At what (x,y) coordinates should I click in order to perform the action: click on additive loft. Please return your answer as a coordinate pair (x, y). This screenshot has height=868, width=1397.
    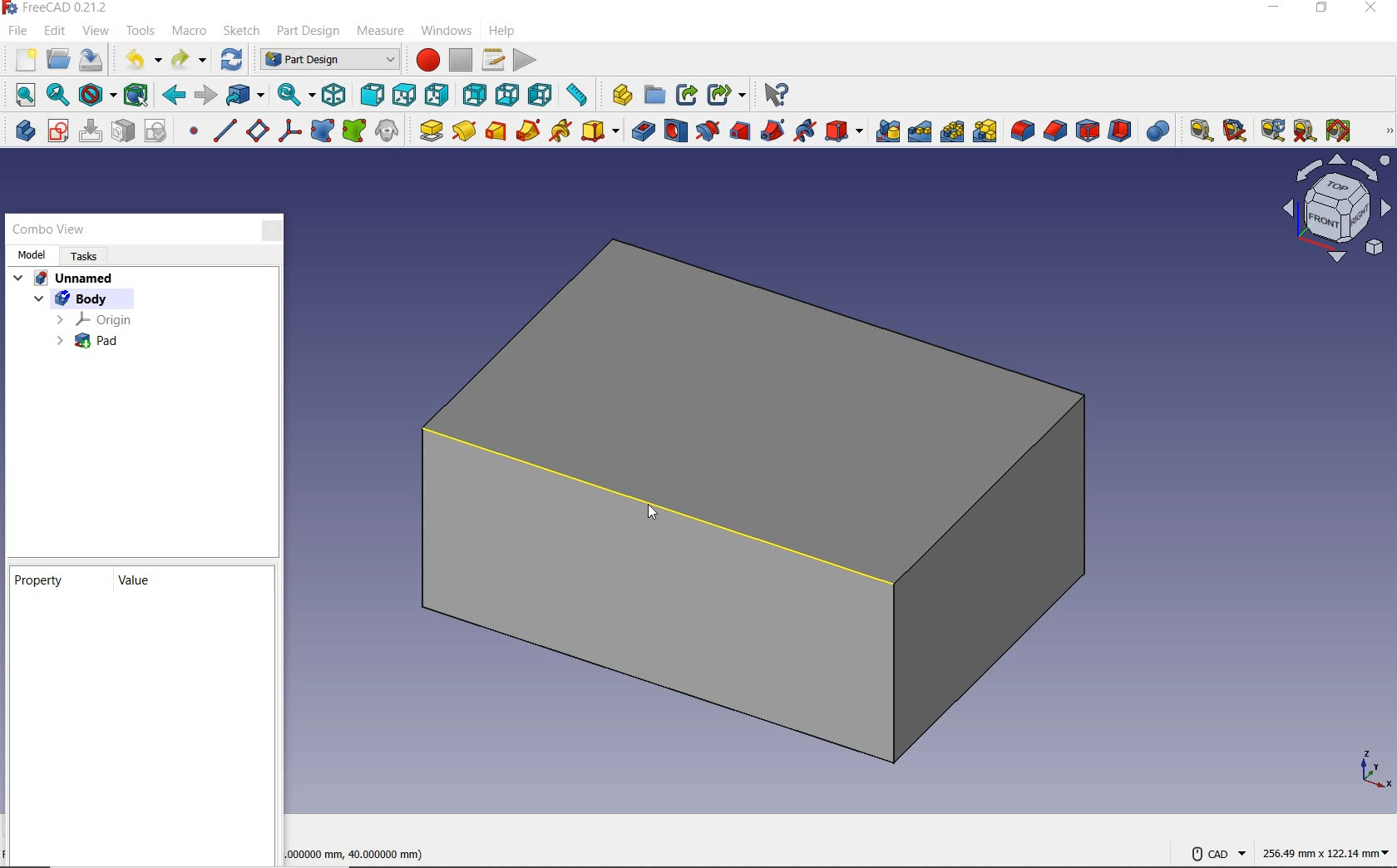
    Looking at the image, I should click on (496, 132).